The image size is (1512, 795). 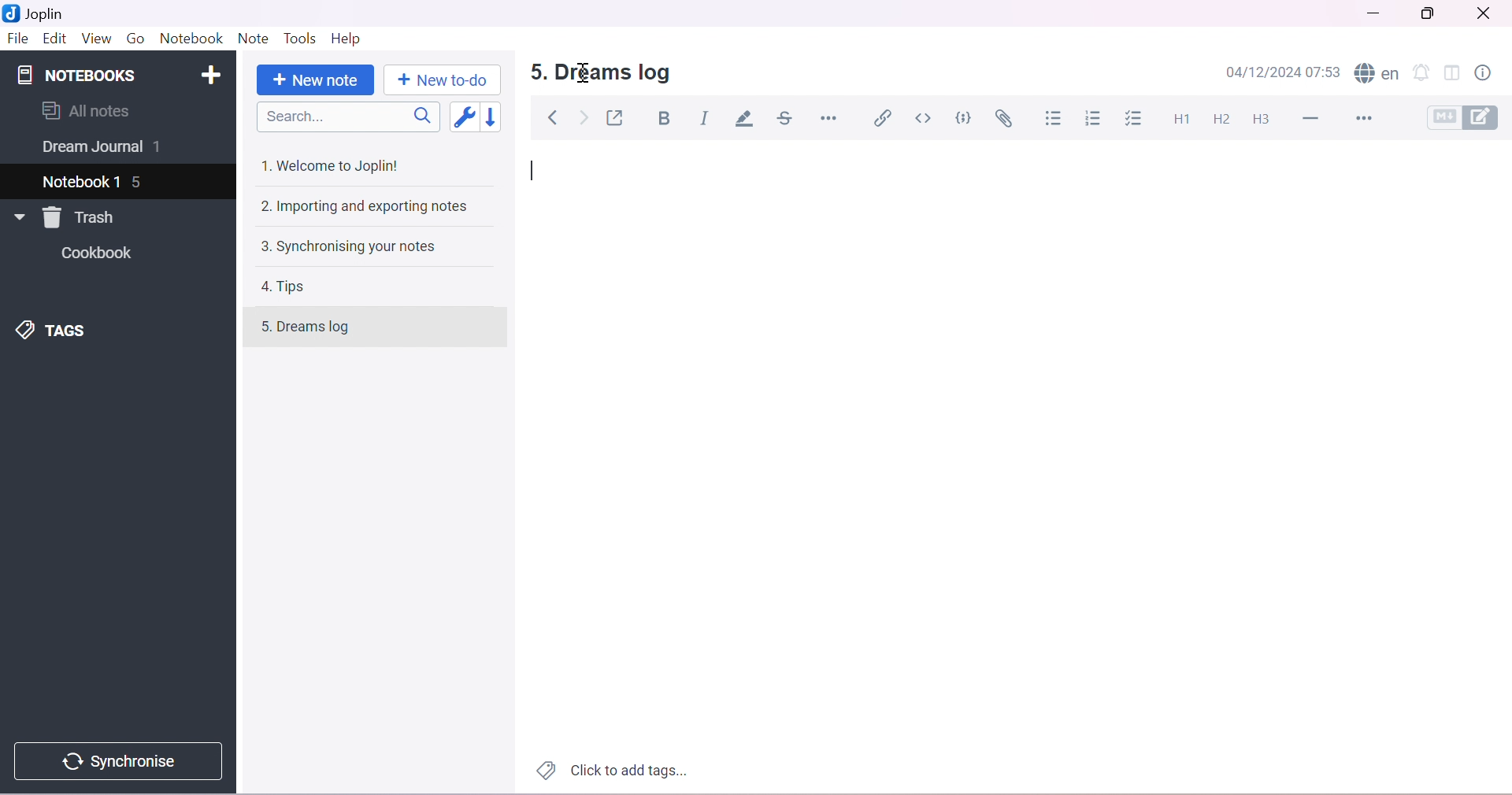 I want to click on Insert/edit link, so click(x=882, y=117).